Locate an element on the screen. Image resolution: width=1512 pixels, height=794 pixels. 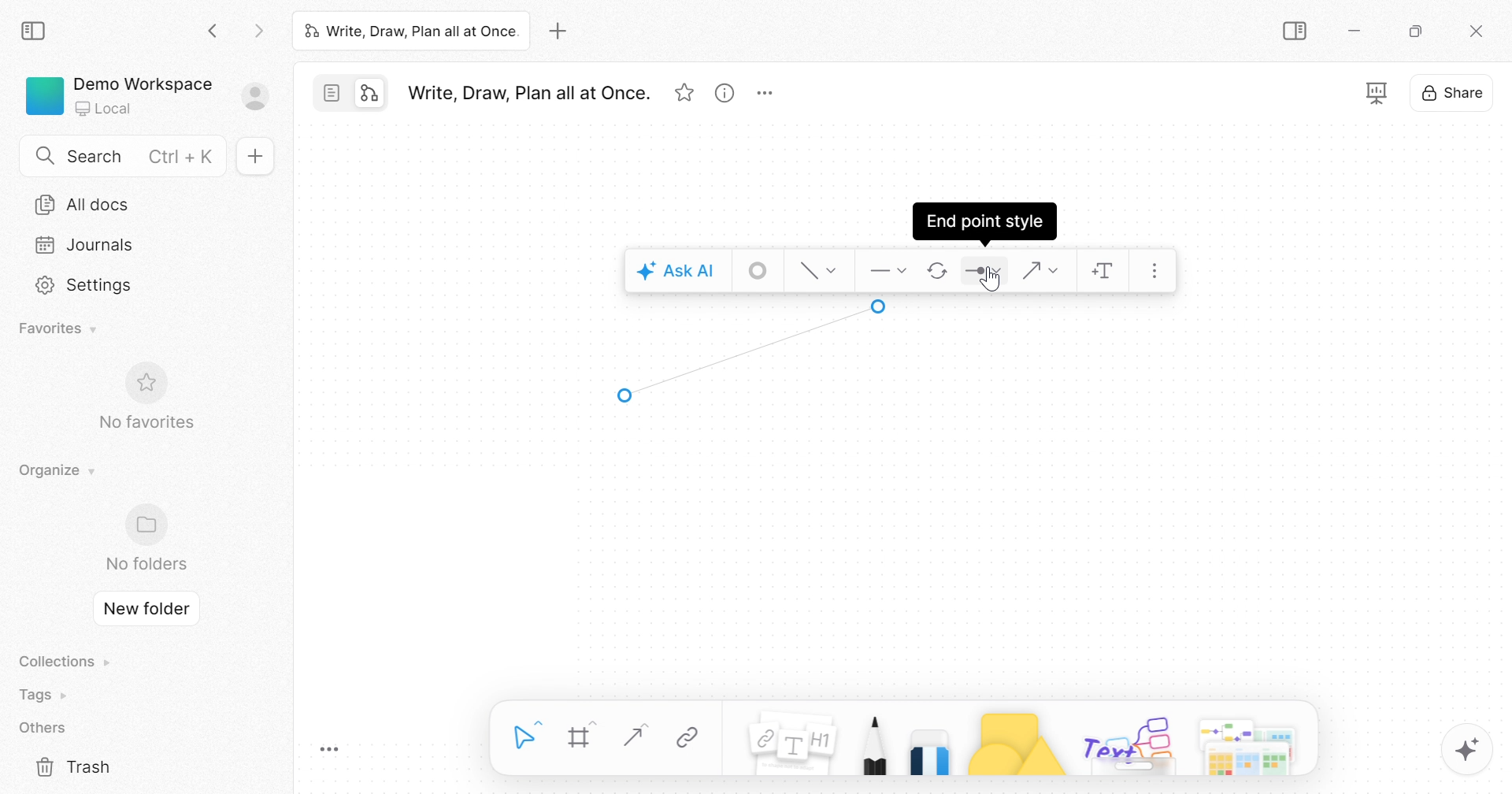
Ask AI is located at coordinates (676, 273).